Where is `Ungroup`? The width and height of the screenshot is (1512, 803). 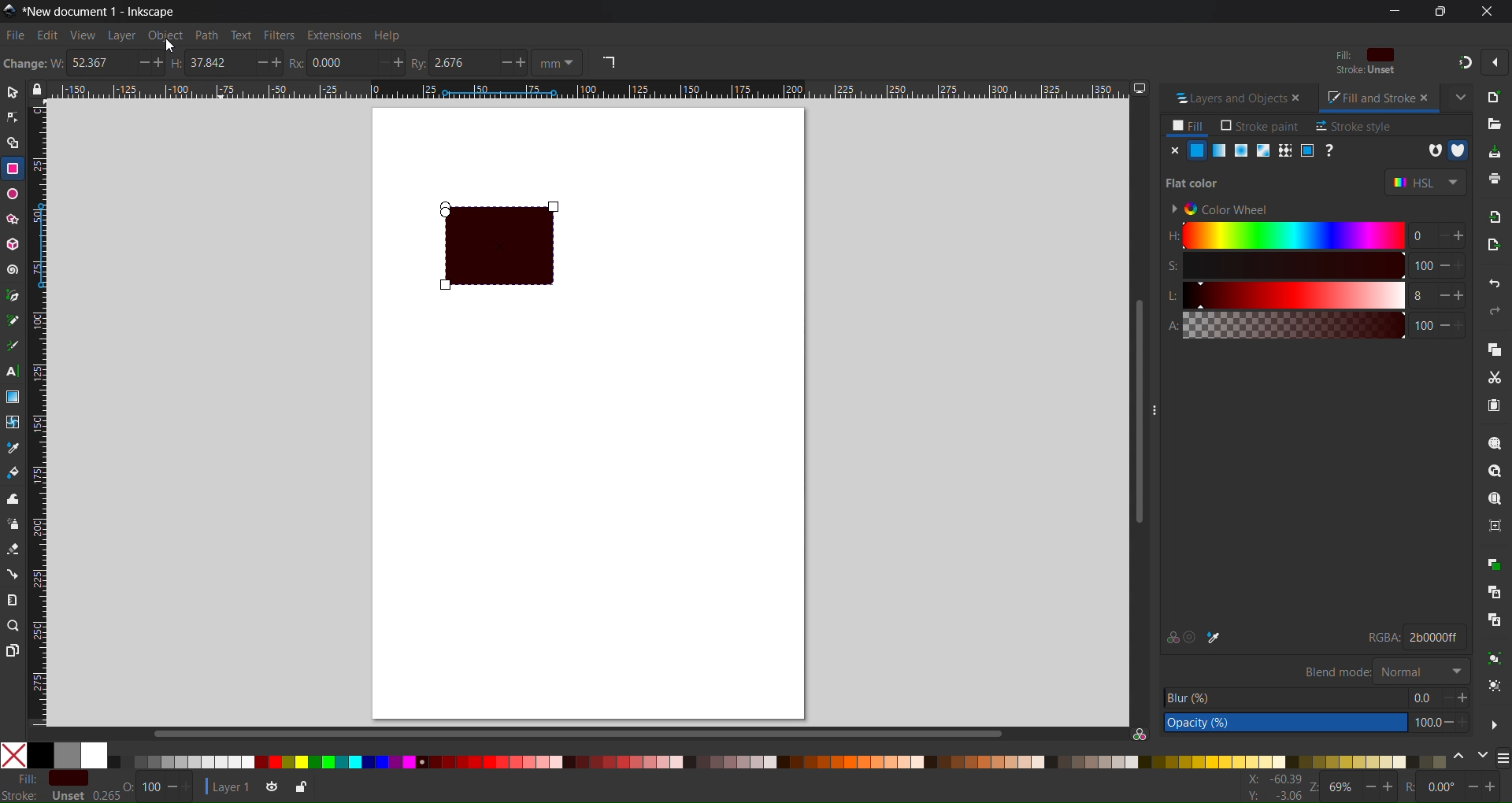 Ungroup is located at coordinates (1495, 687).